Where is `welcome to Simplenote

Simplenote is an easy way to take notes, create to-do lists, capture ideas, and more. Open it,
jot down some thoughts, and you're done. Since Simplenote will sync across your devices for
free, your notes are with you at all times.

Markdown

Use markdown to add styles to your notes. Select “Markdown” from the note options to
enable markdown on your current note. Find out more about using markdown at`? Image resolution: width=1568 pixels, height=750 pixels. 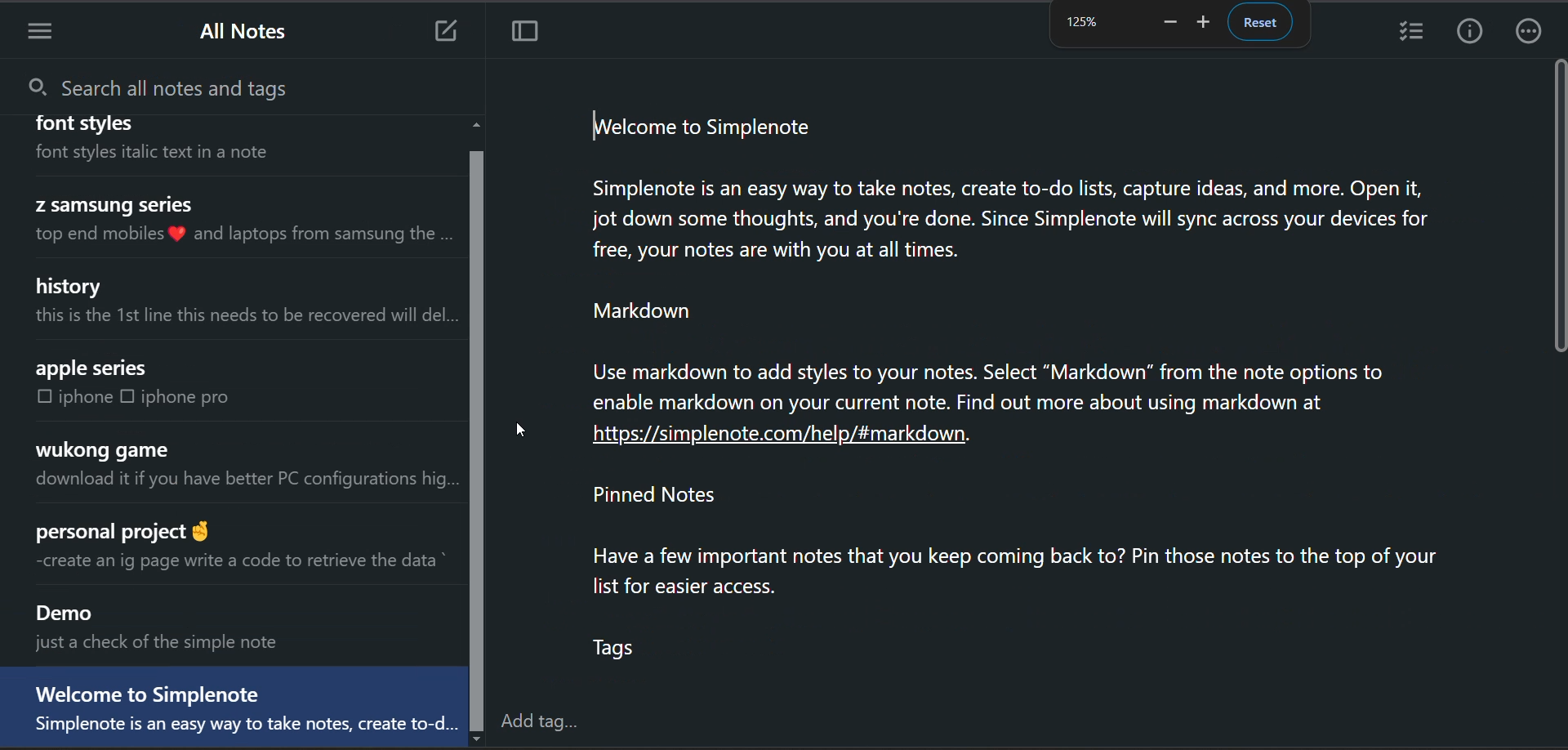 welcome to Simplenote

Simplenote is an easy way to take notes, create to-do lists, capture ideas, and more. Open it,
jot down some thoughts, and you're done. Since Simplenote will sync across your devices for
free, your notes are with you at all times.

Markdown

Use markdown to add styles to your notes. Select “Markdown” from the note options to
enable markdown on your current note. Find out more about using markdown at is located at coordinates (1008, 262).